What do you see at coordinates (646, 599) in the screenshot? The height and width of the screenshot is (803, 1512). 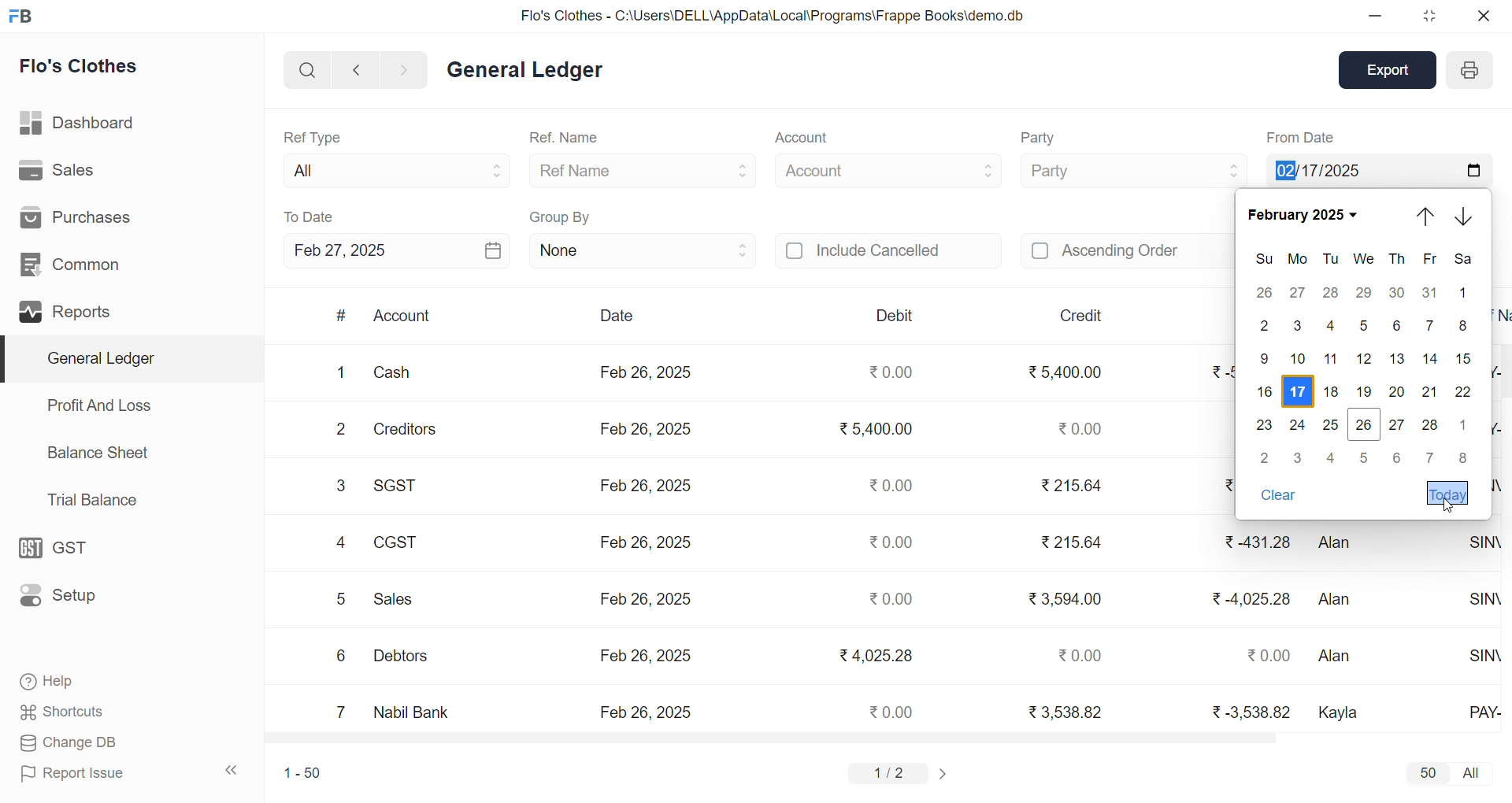 I see `Feb 26, 2025` at bounding box center [646, 599].